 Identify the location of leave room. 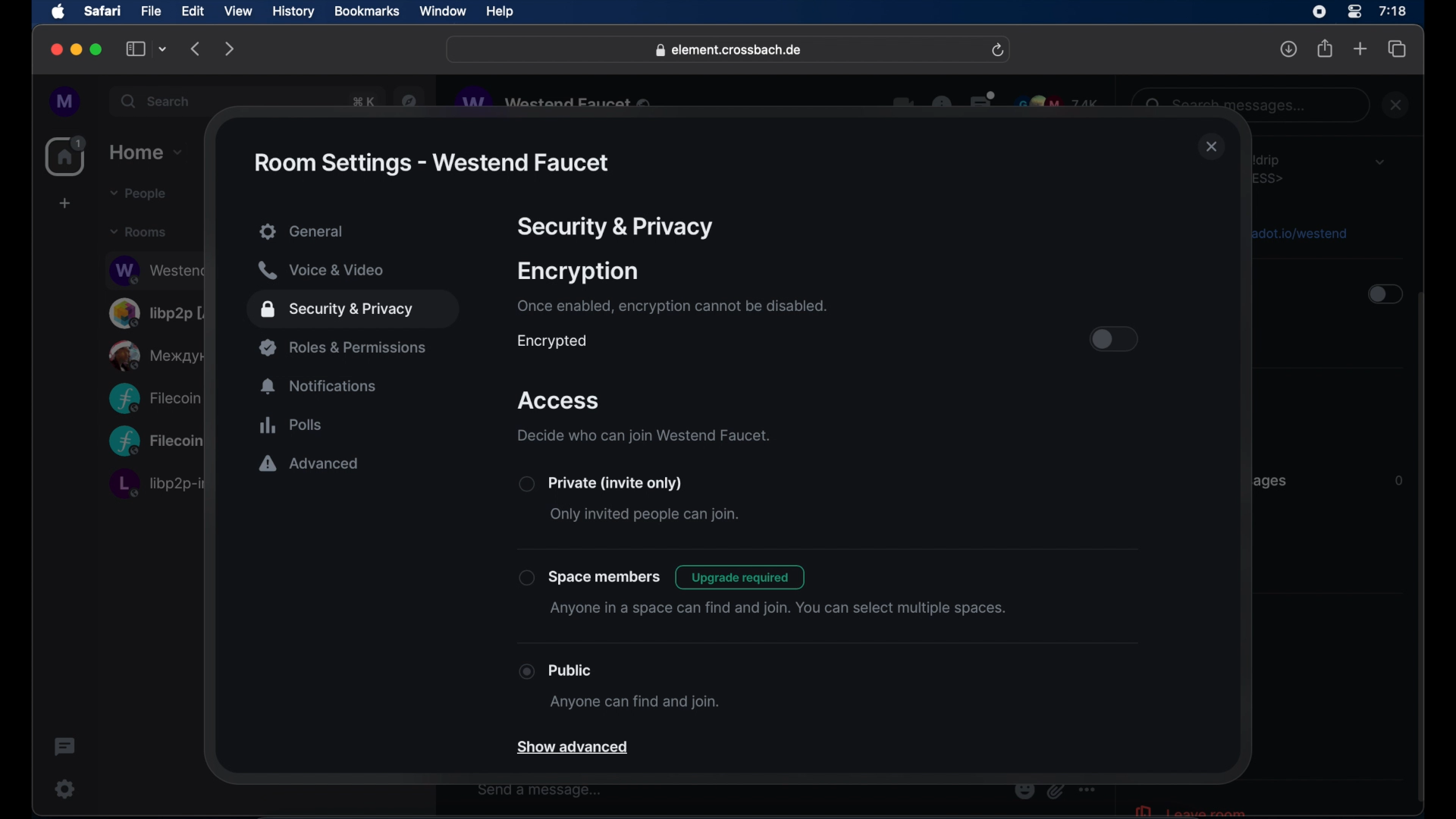
(1189, 809).